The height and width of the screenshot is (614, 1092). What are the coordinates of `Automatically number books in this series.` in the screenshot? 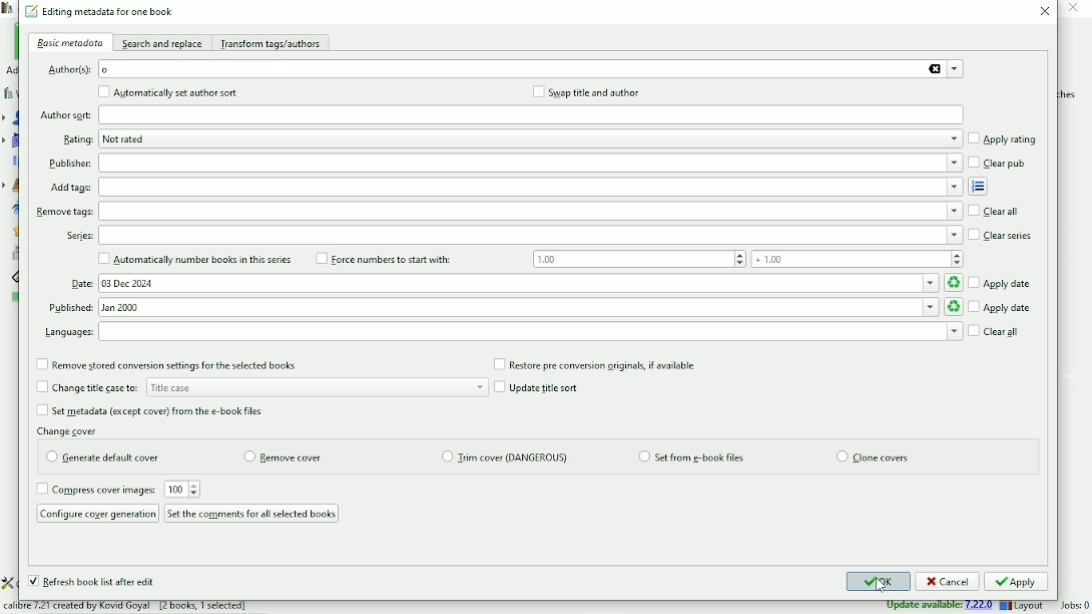 It's located at (195, 260).